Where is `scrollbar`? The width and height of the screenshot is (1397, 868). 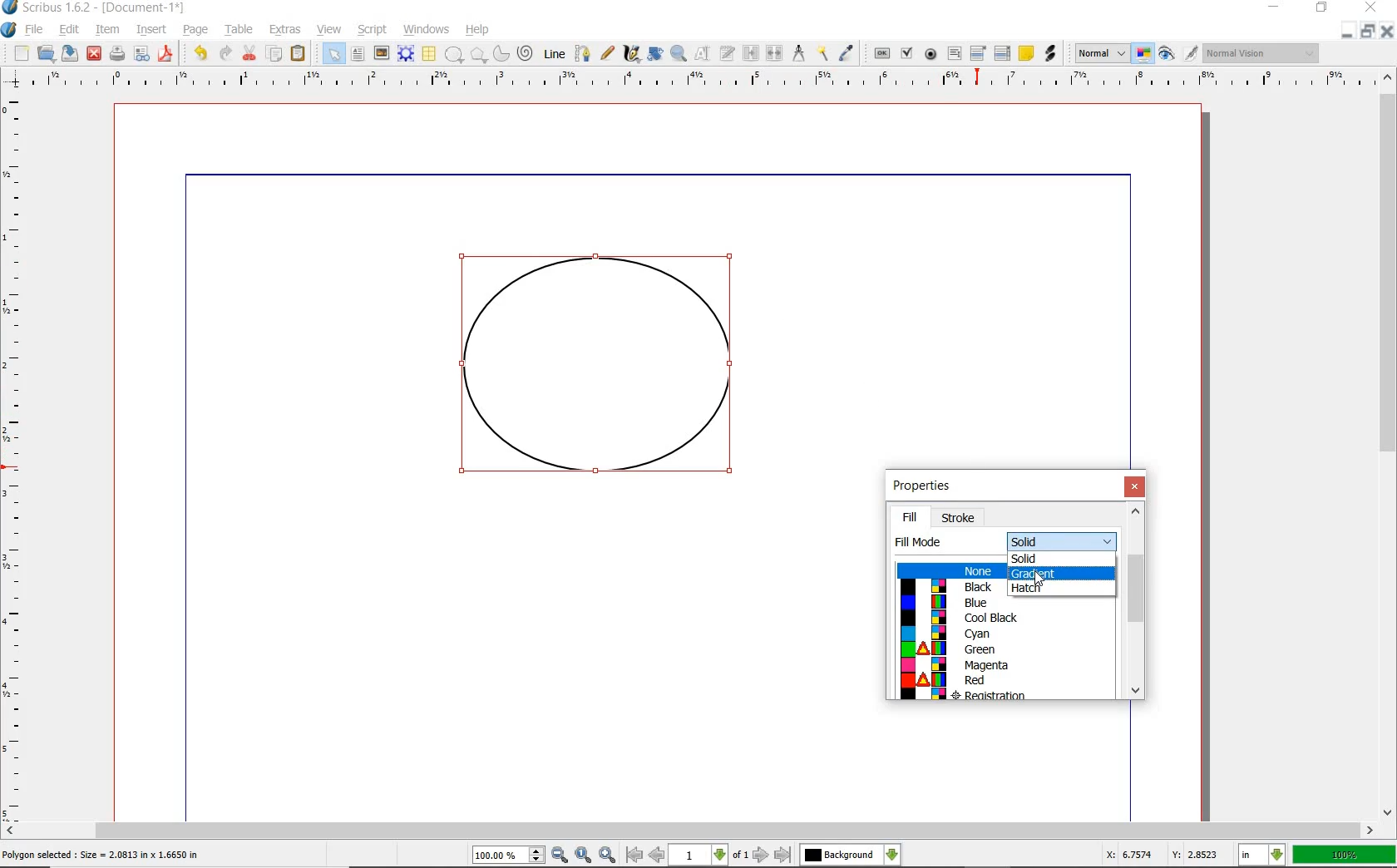 scrollbar is located at coordinates (1135, 604).